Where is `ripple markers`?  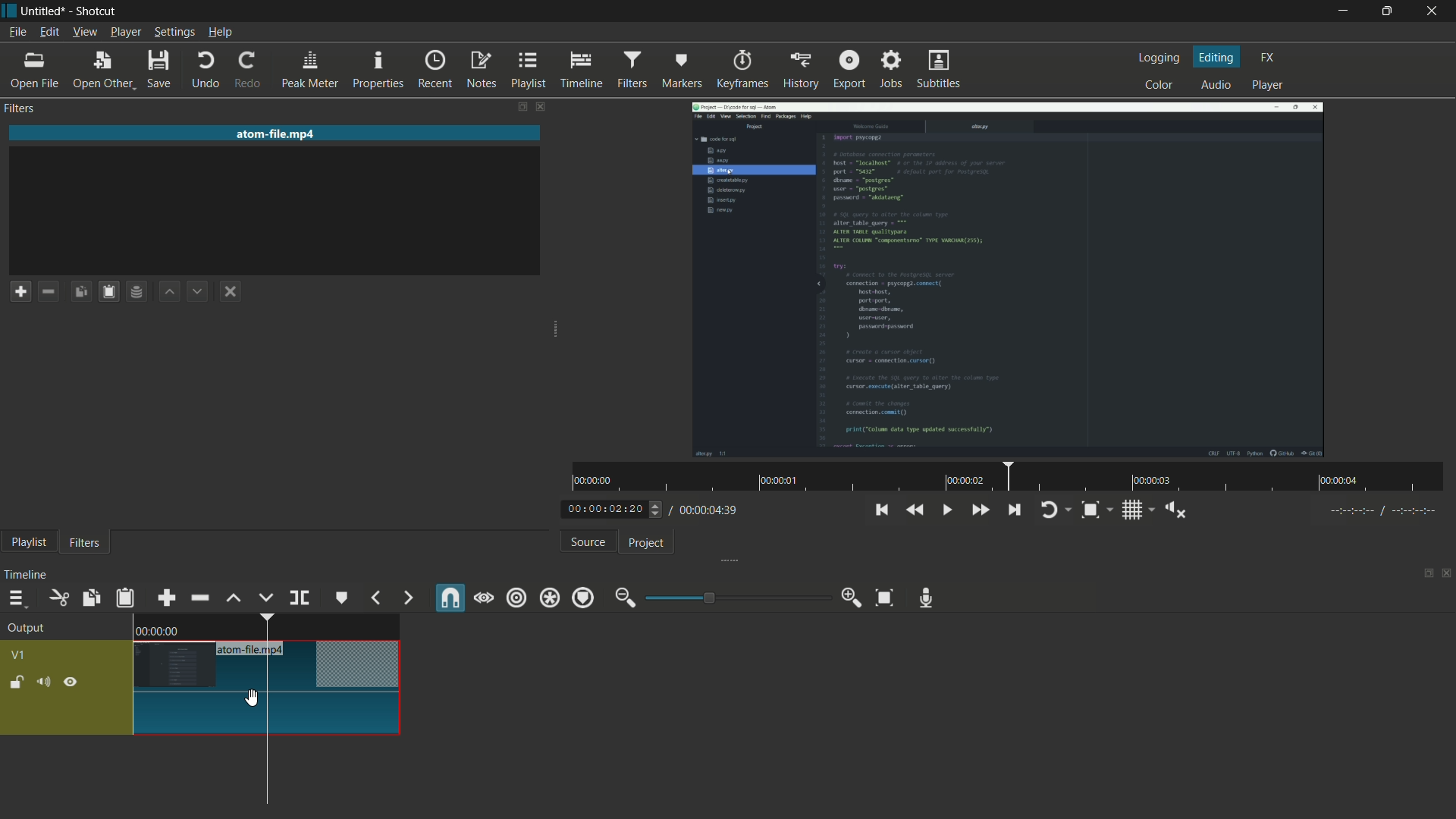 ripple markers is located at coordinates (585, 598).